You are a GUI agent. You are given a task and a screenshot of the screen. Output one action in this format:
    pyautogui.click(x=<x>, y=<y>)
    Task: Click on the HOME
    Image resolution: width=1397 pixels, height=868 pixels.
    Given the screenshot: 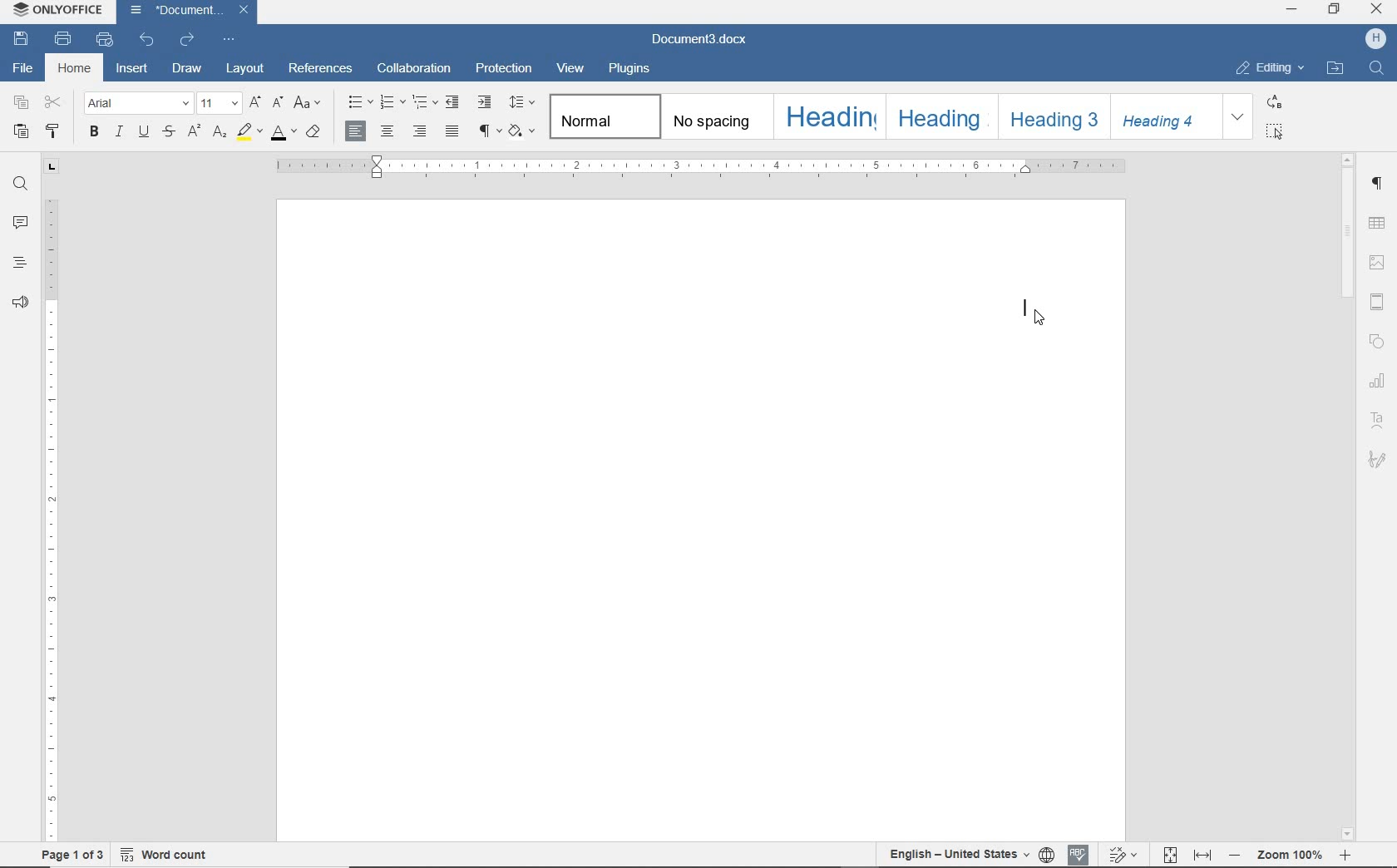 What is the action you would take?
    pyautogui.click(x=76, y=69)
    